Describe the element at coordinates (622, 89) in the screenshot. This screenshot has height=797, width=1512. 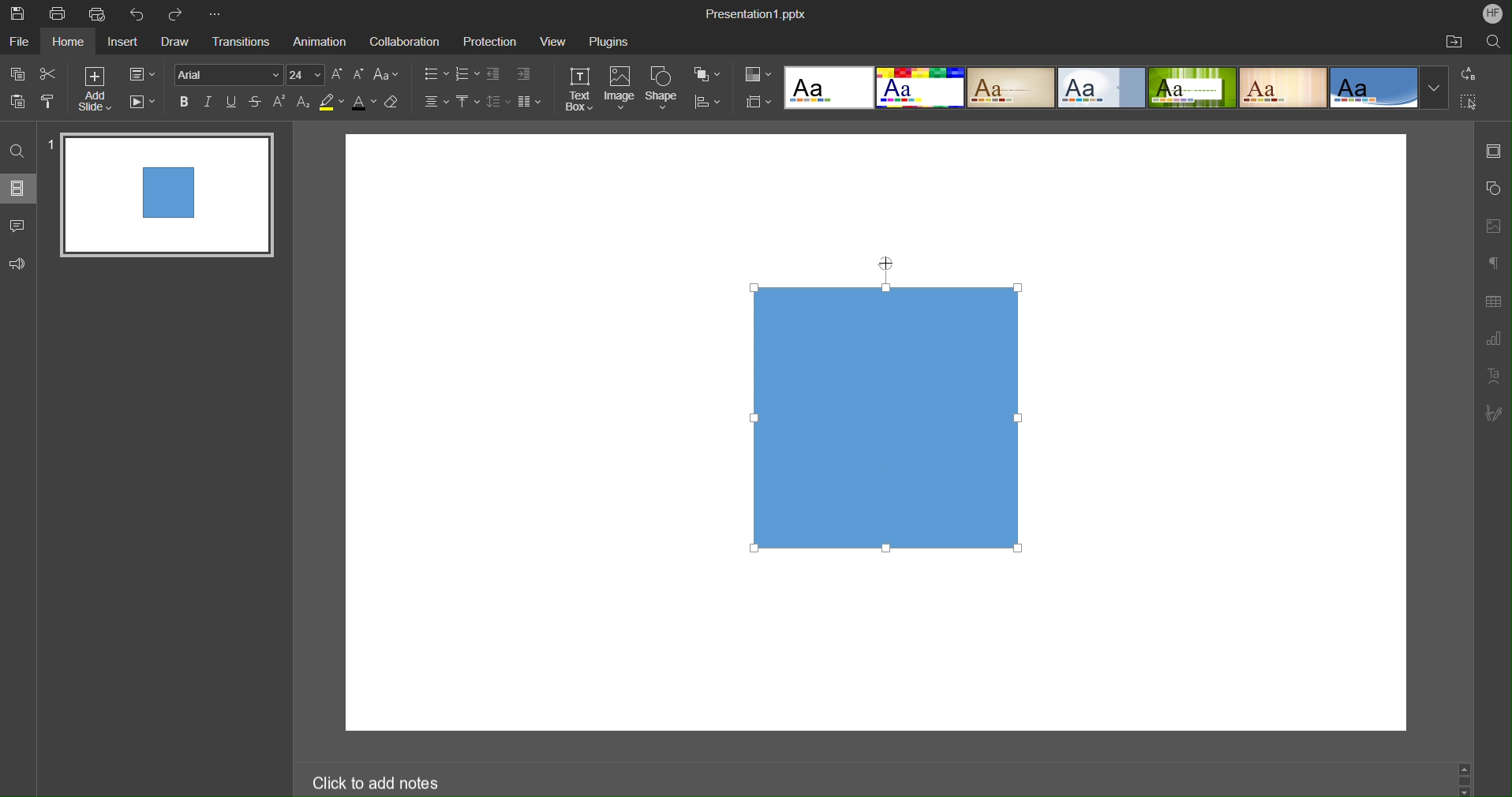
I see `Image` at that location.